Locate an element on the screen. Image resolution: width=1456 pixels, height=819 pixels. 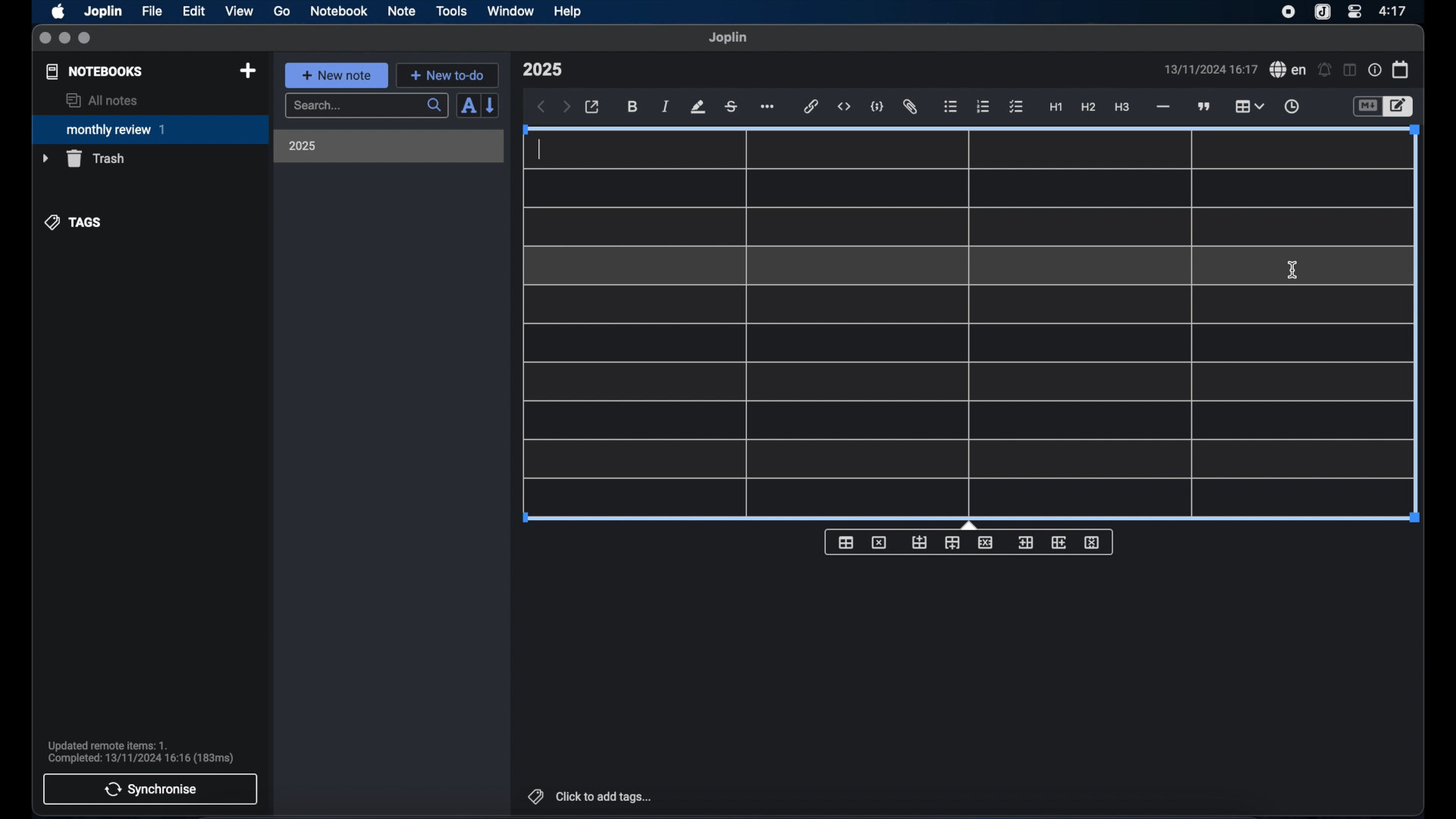
note is located at coordinates (402, 11).